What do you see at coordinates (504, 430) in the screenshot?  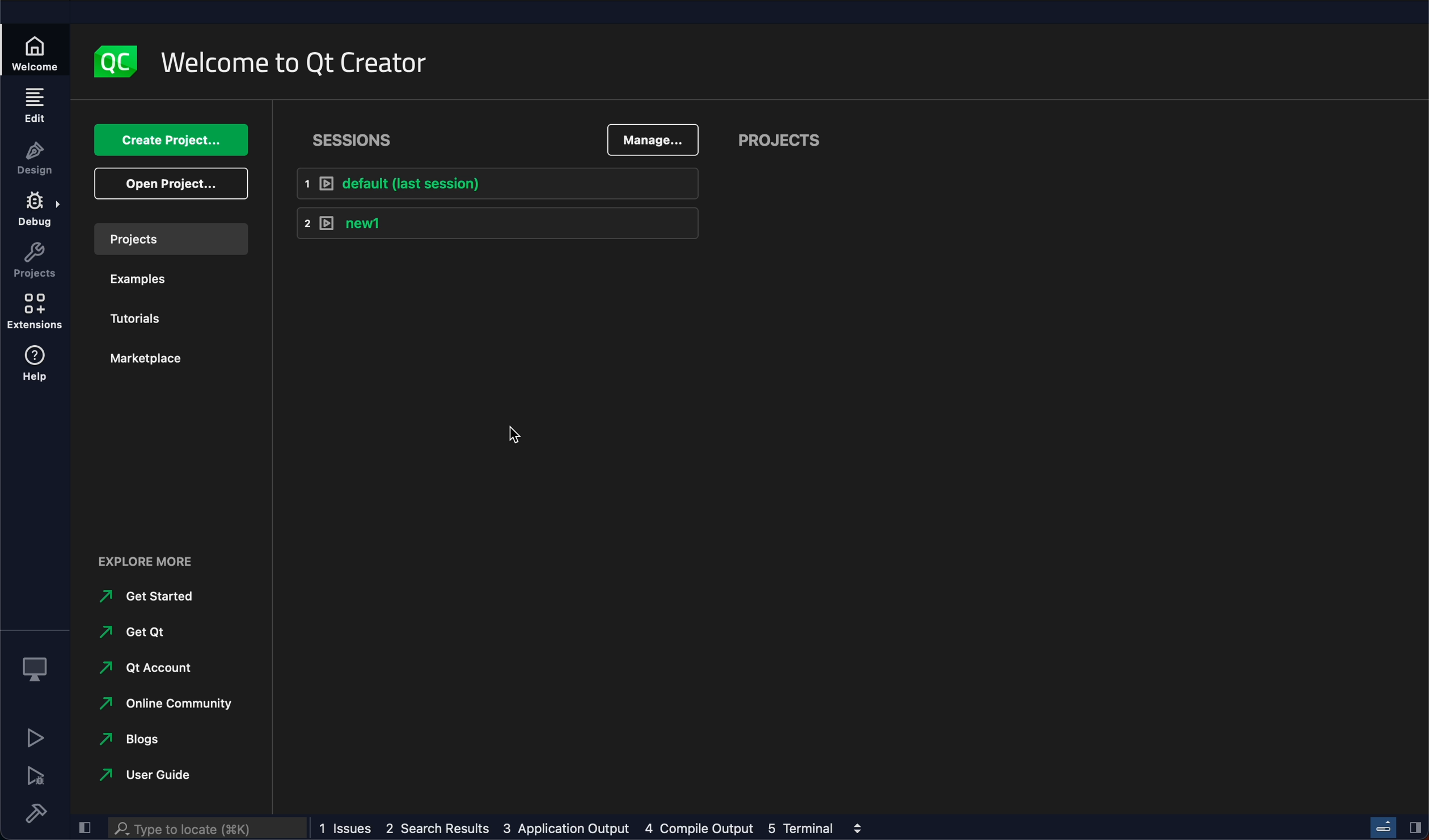 I see `cursor` at bounding box center [504, 430].